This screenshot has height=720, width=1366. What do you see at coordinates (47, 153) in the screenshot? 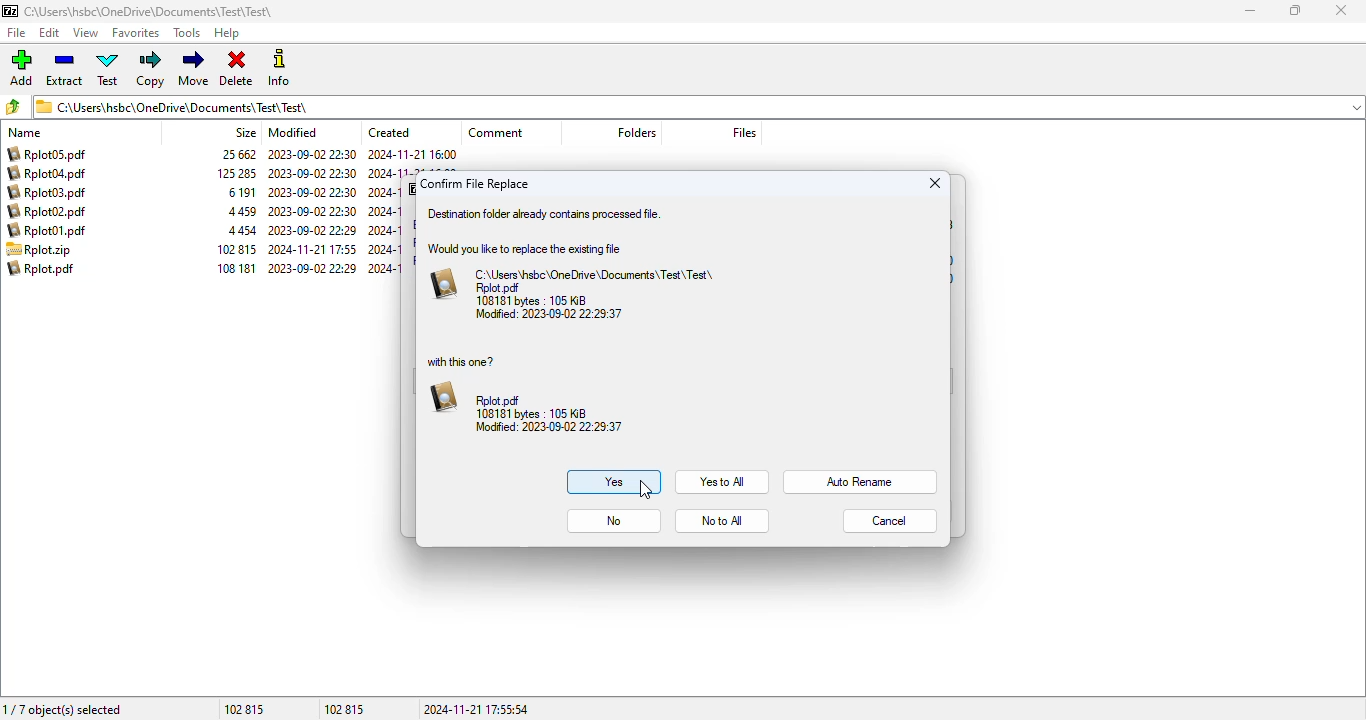
I see `Rplot05.pdf` at bounding box center [47, 153].